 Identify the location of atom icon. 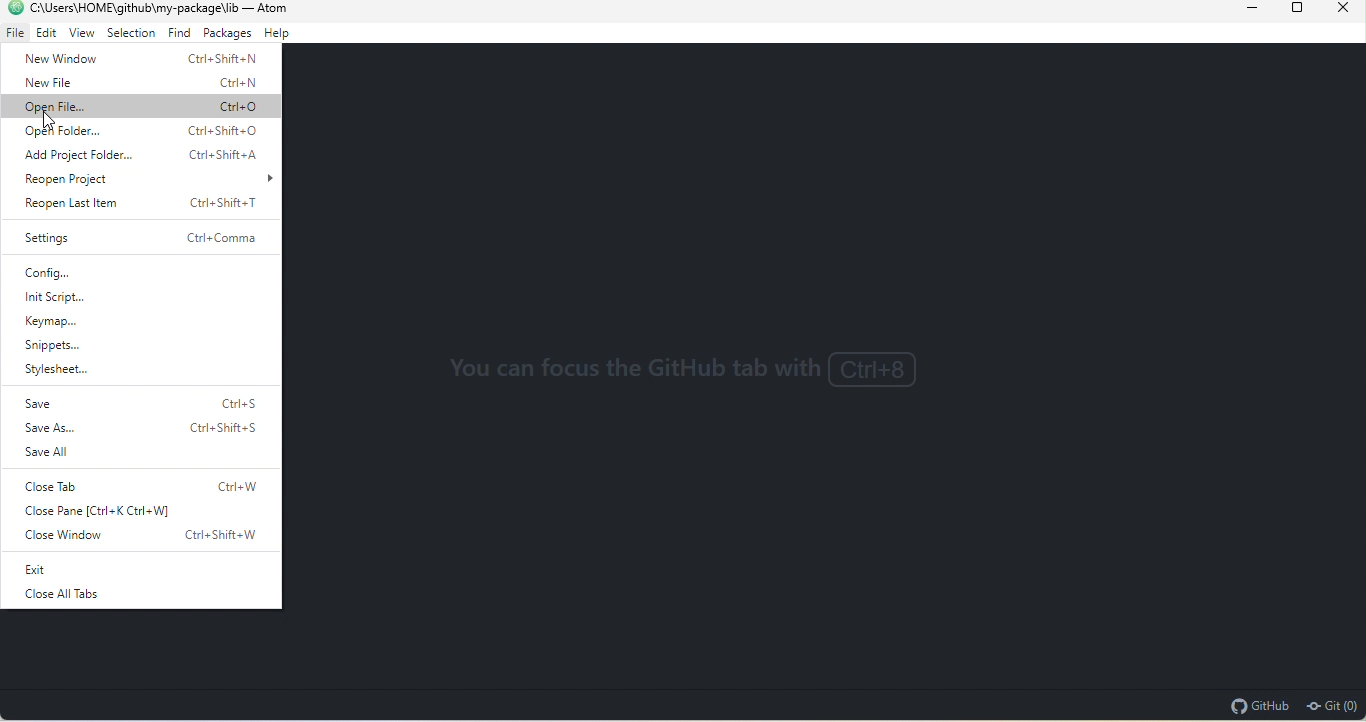
(13, 8).